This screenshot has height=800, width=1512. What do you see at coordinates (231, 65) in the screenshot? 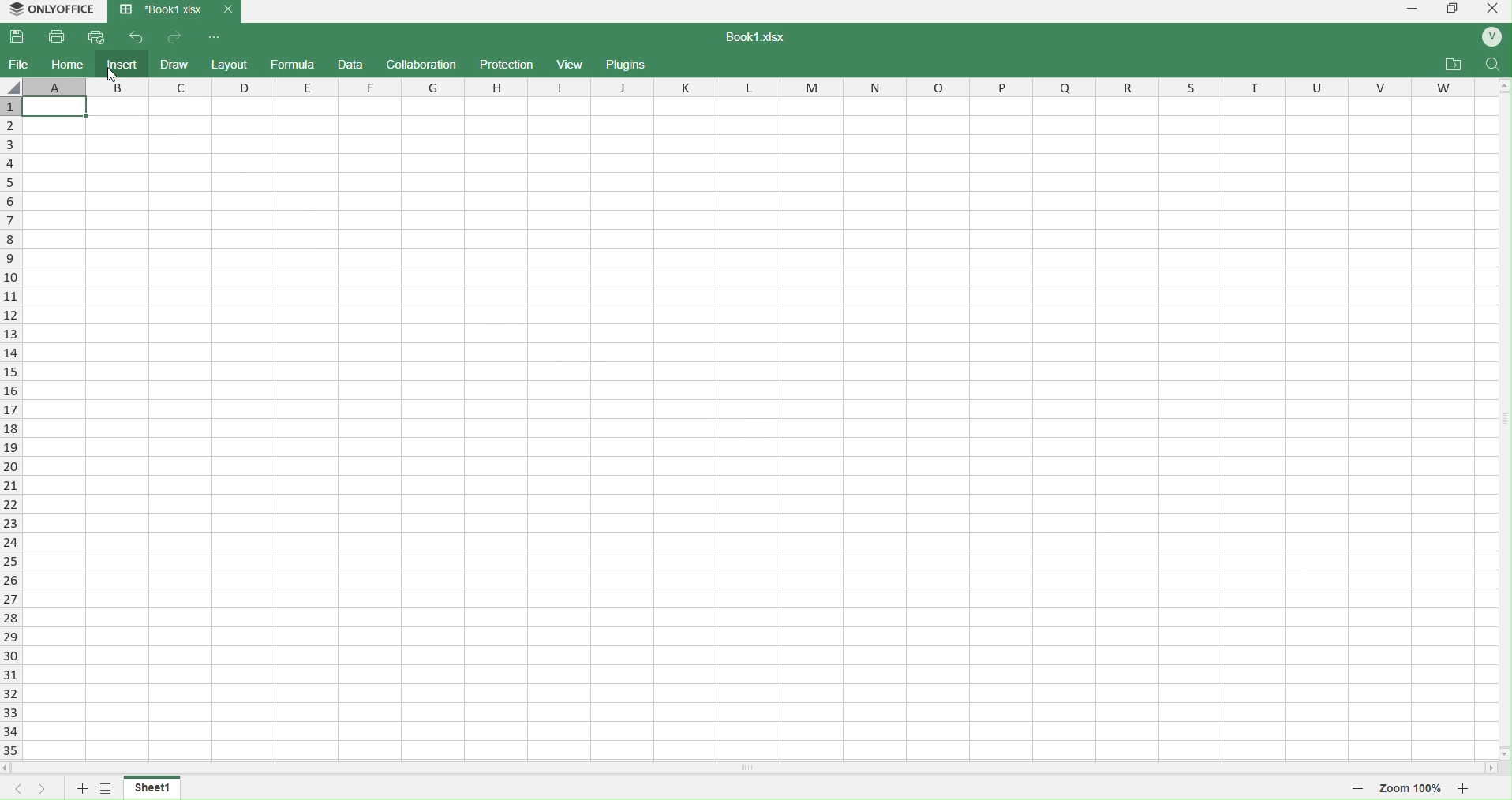
I see `layout` at bounding box center [231, 65].